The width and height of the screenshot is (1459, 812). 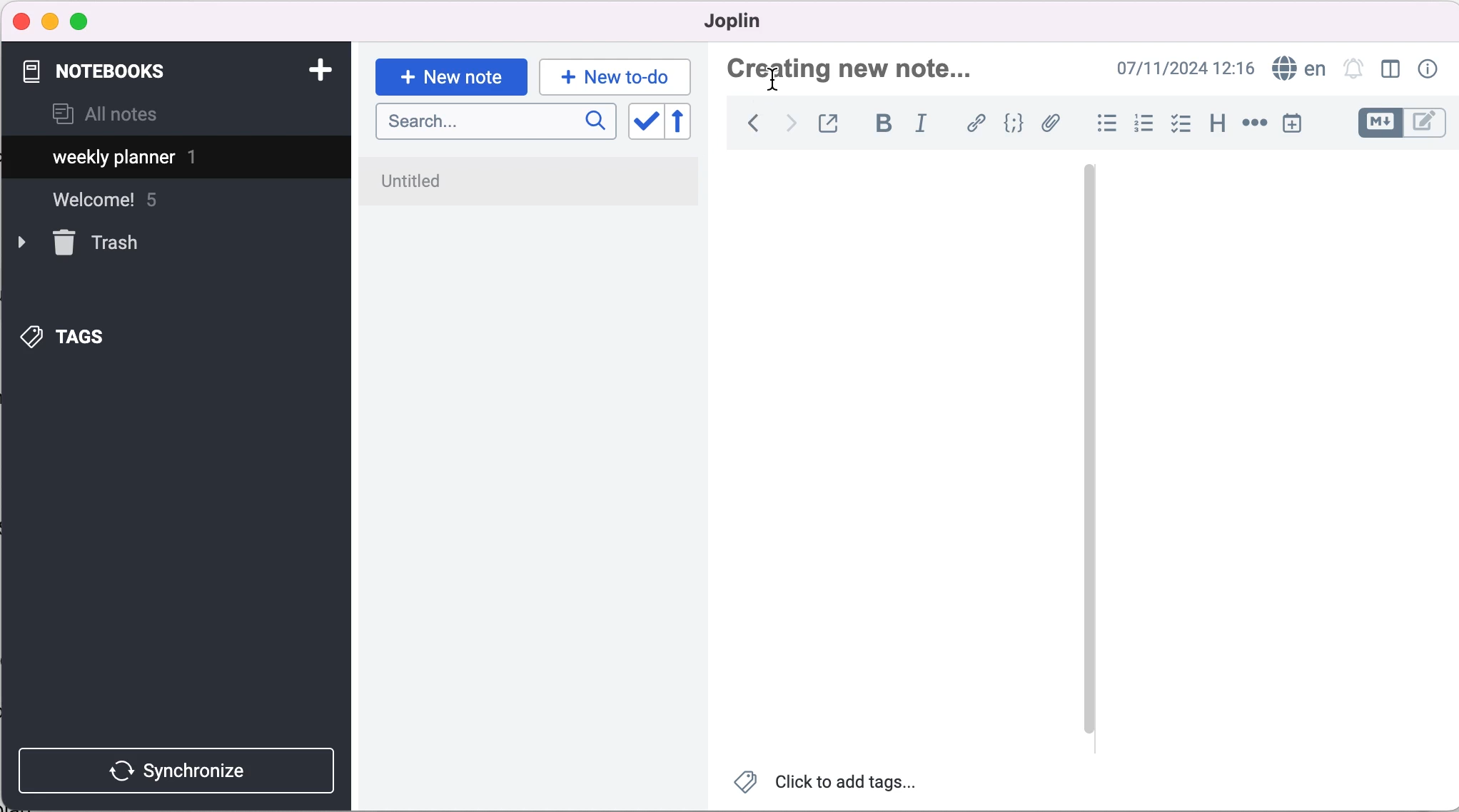 What do you see at coordinates (106, 71) in the screenshot?
I see `notebooks` at bounding box center [106, 71].